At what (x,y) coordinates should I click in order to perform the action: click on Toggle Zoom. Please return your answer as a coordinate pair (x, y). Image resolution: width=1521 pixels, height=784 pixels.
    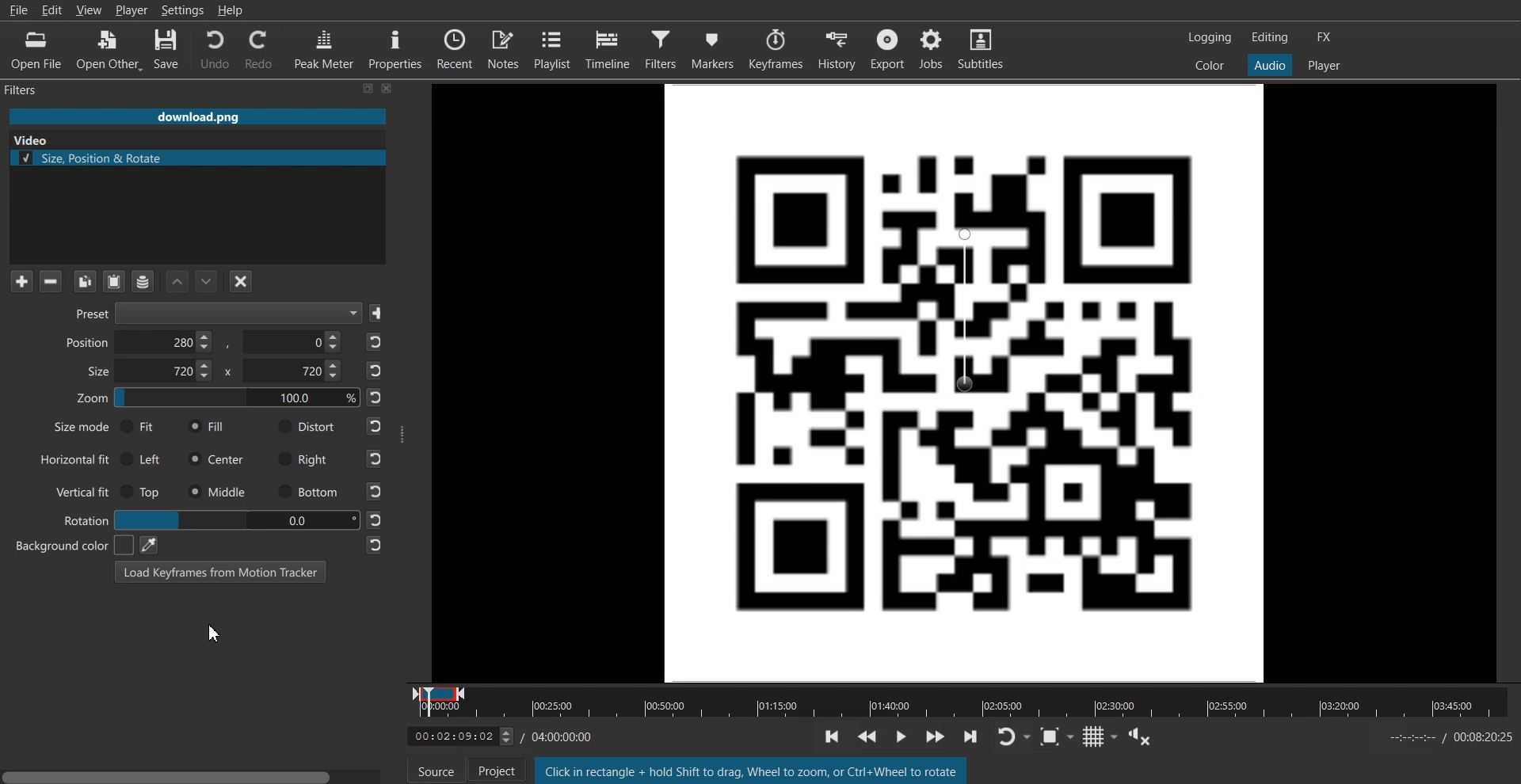
    Looking at the image, I should click on (1059, 740).